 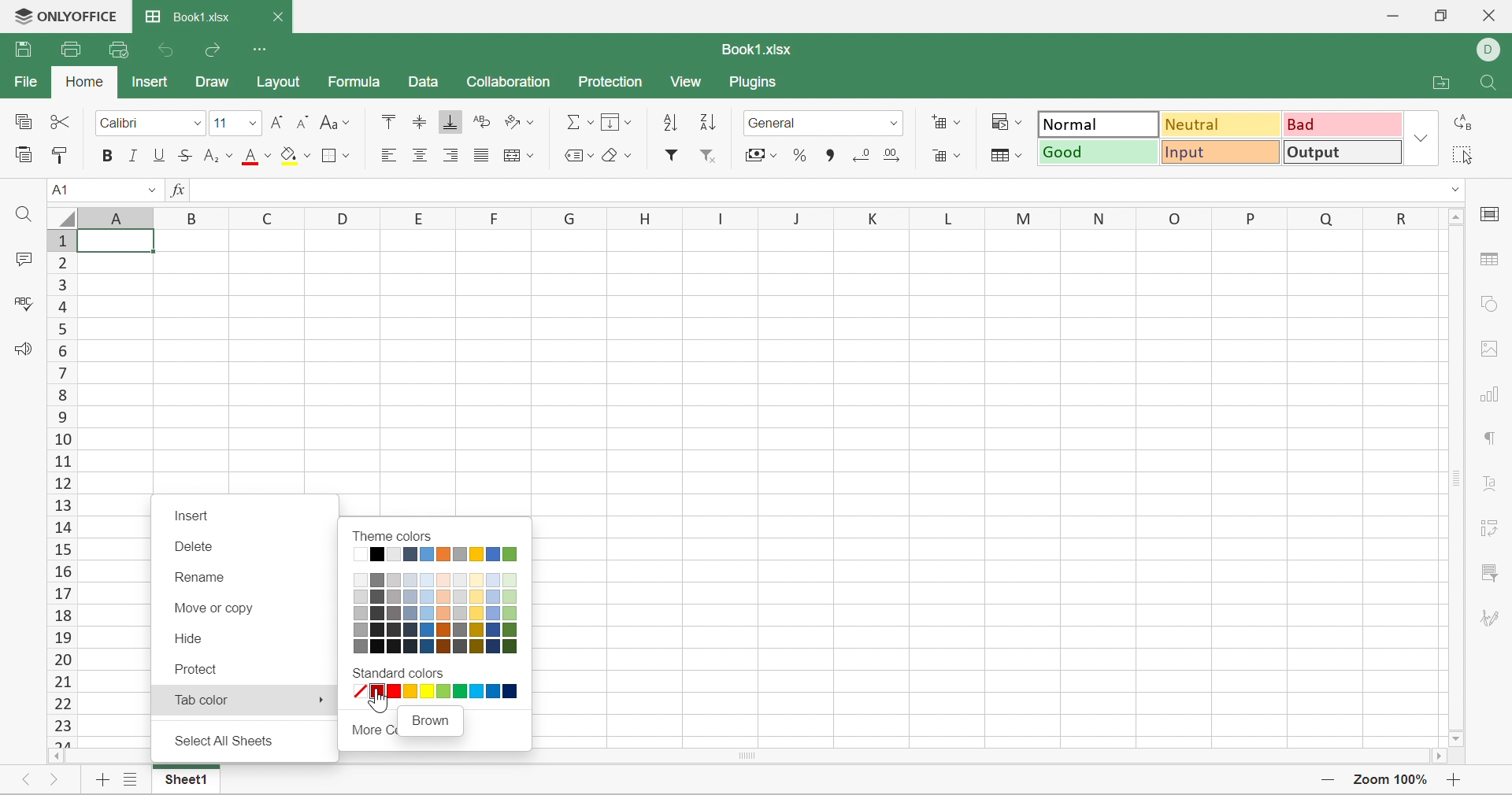 What do you see at coordinates (1340, 151) in the screenshot?
I see `Output` at bounding box center [1340, 151].